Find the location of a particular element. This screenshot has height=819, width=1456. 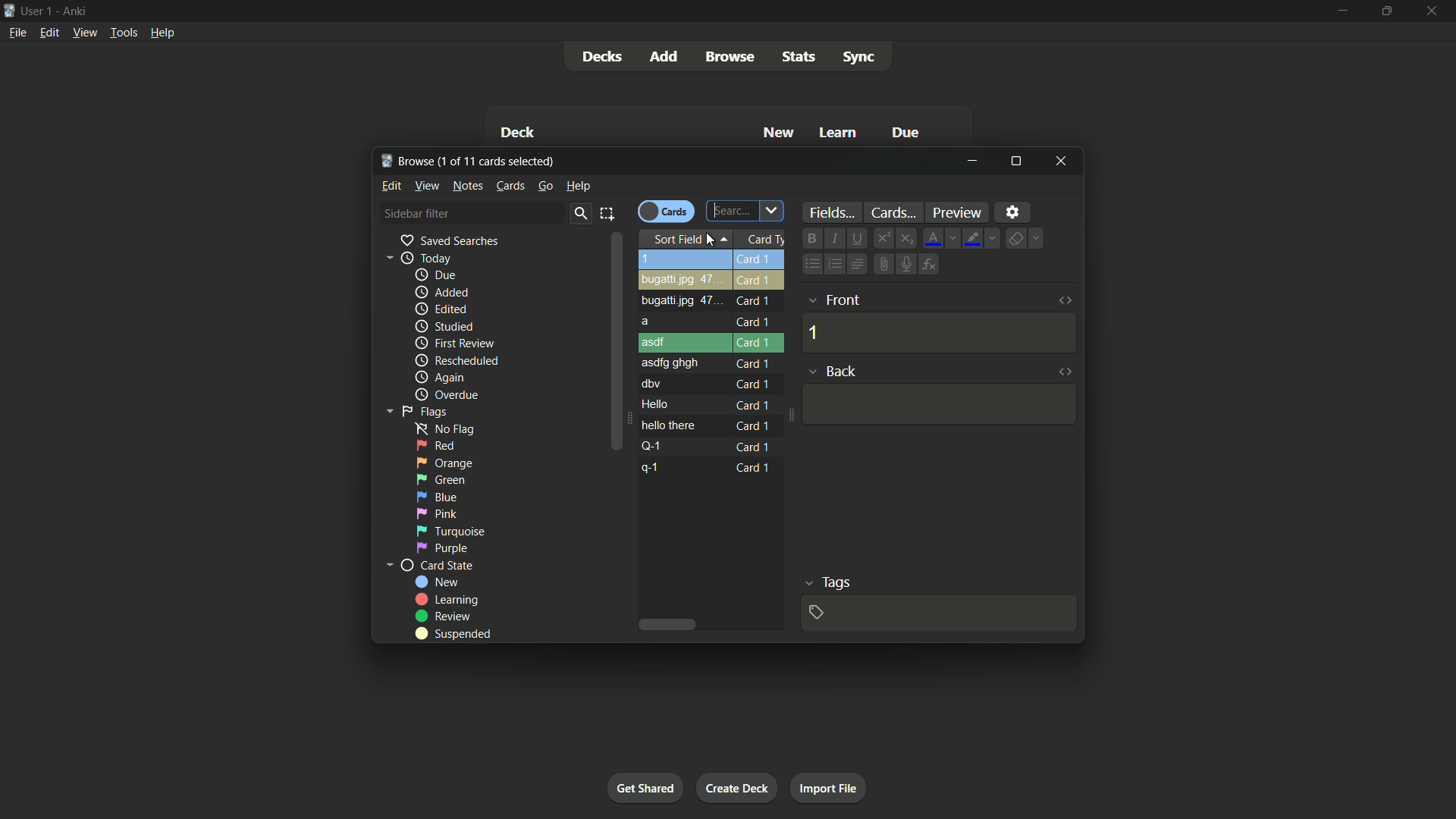

card state is located at coordinates (435, 565).